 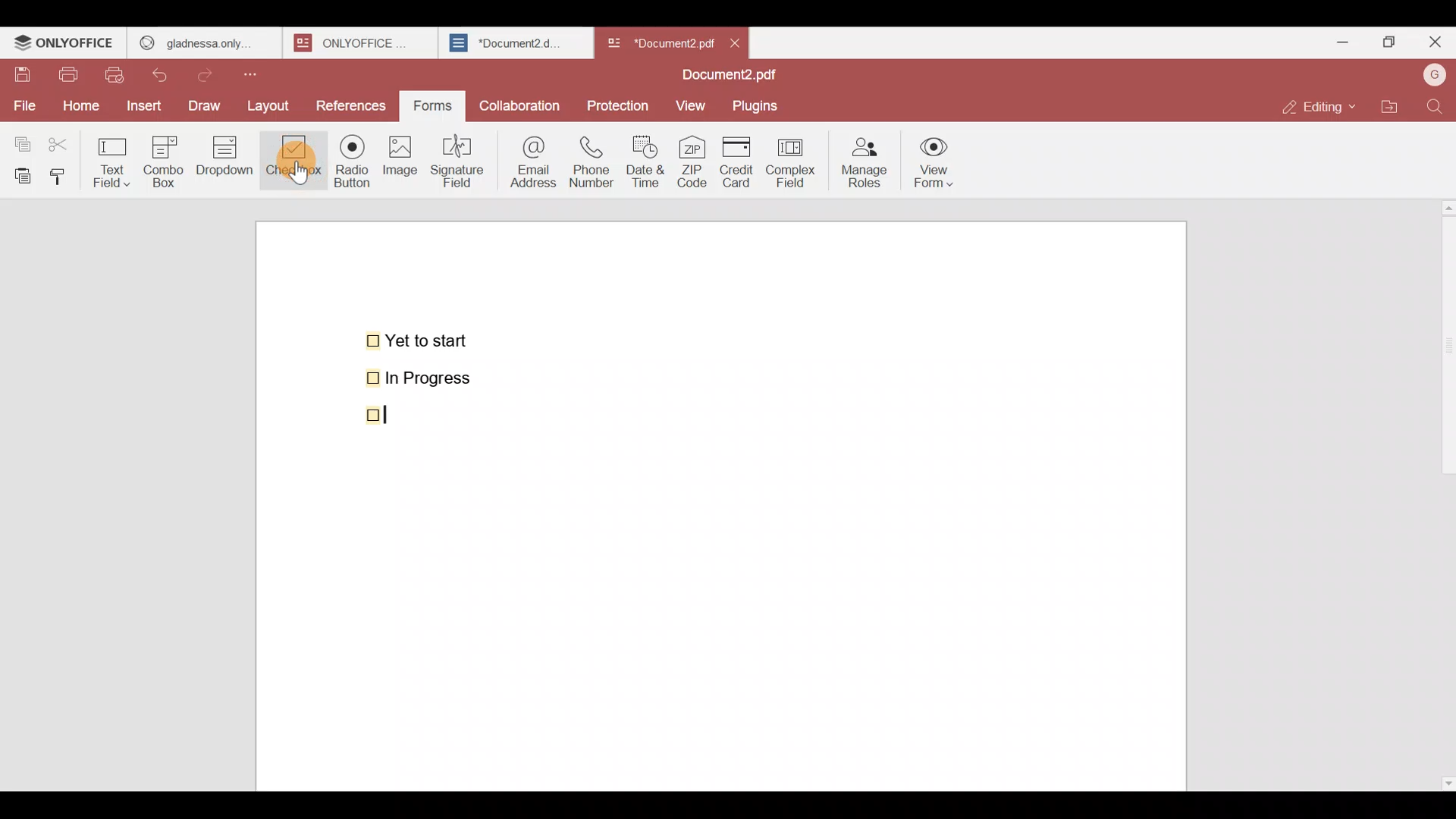 What do you see at coordinates (263, 71) in the screenshot?
I see `Customize quick access toolbar` at bounding box center [263, 71].